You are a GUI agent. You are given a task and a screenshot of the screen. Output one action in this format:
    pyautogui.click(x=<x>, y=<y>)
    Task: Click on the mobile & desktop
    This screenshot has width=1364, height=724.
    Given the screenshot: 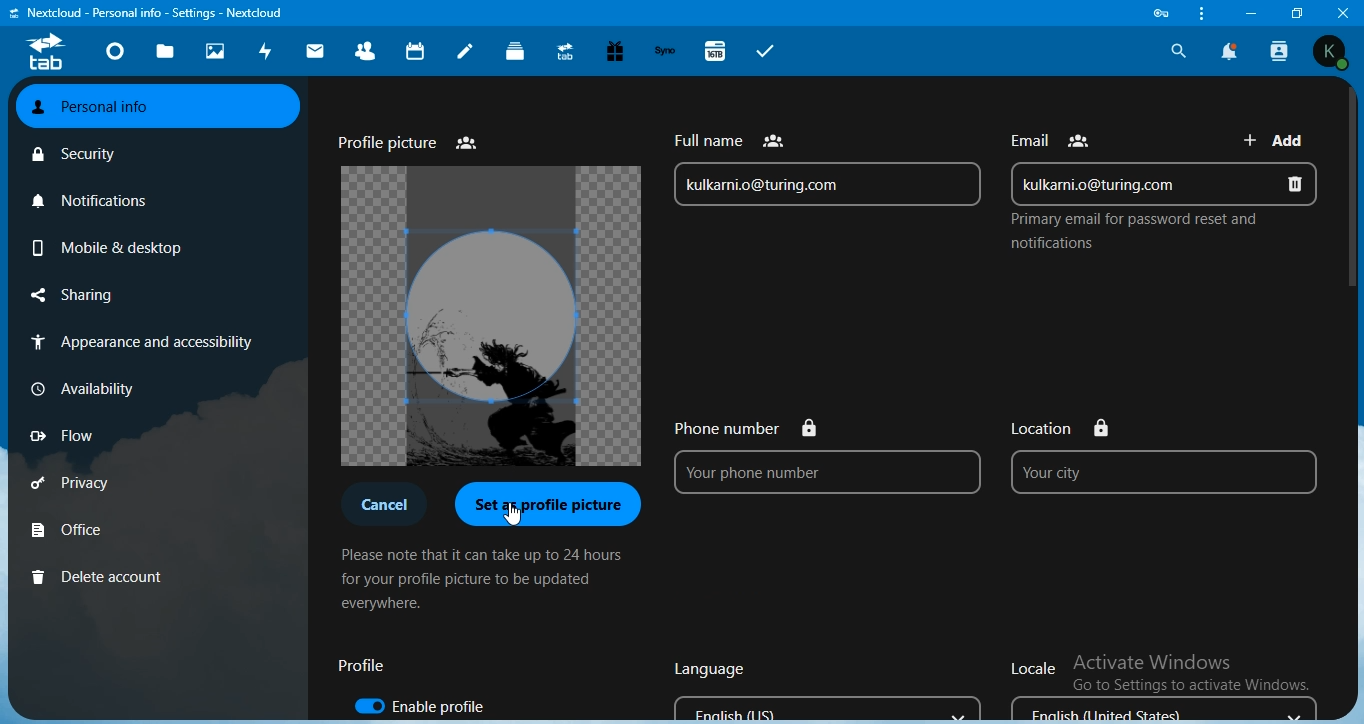 What is the action you would take?
    pyautogui.click(x=107, y=246)
    